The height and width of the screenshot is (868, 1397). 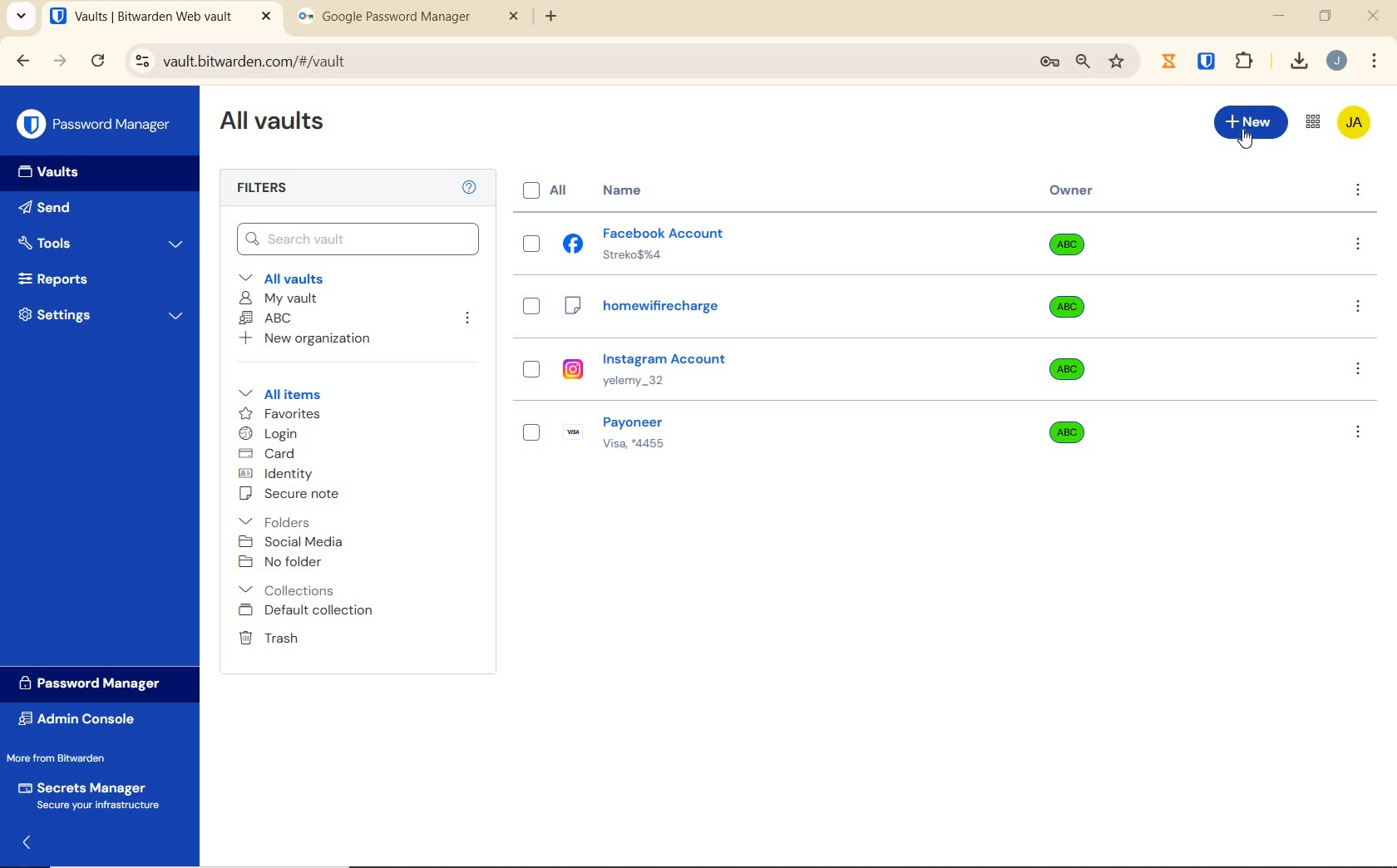 I want to click on check box, so click(x=534, y=311).